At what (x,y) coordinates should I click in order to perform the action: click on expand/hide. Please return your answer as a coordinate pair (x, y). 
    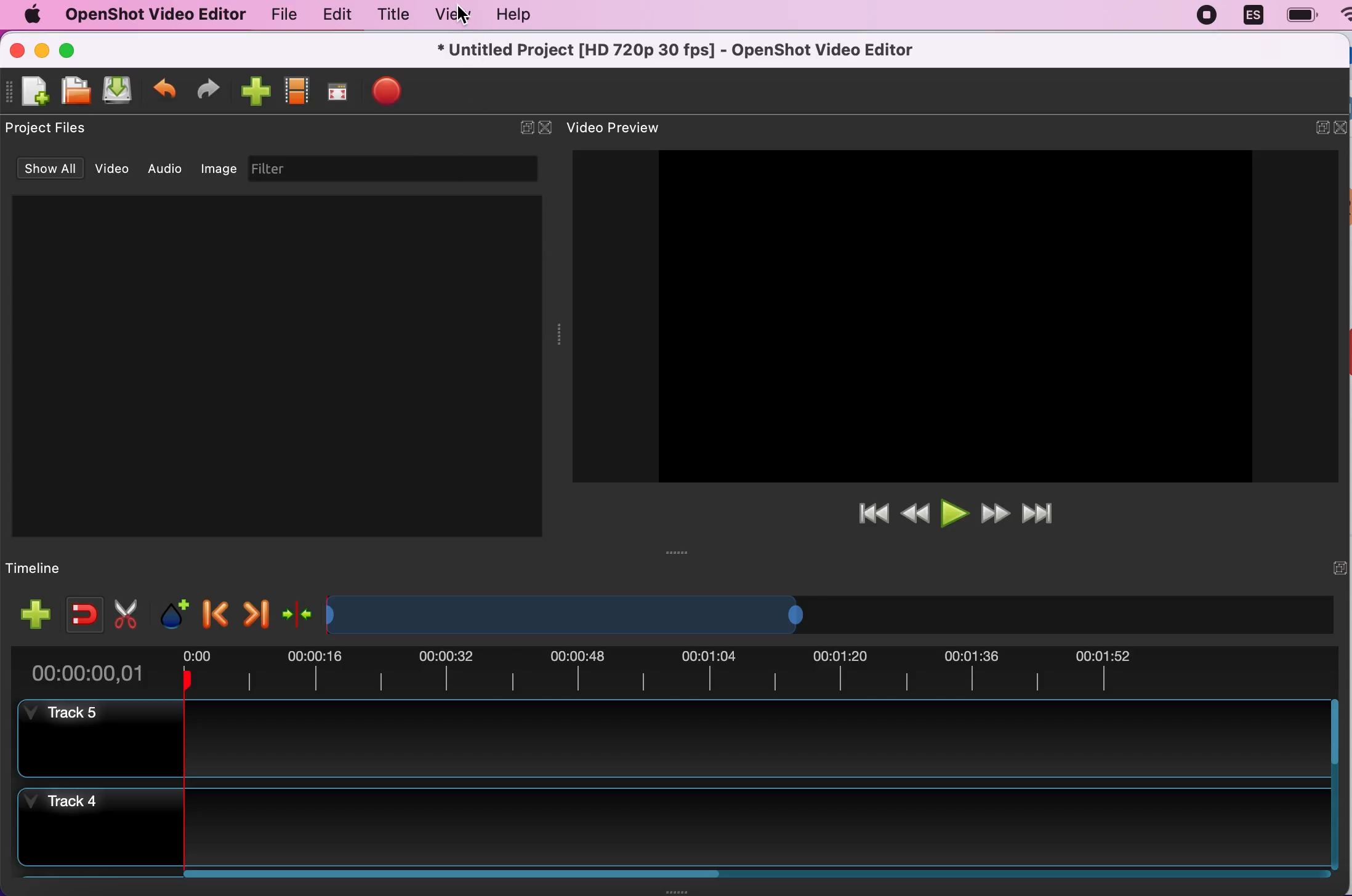
    Looking at the image, I should click on (1338, 567).